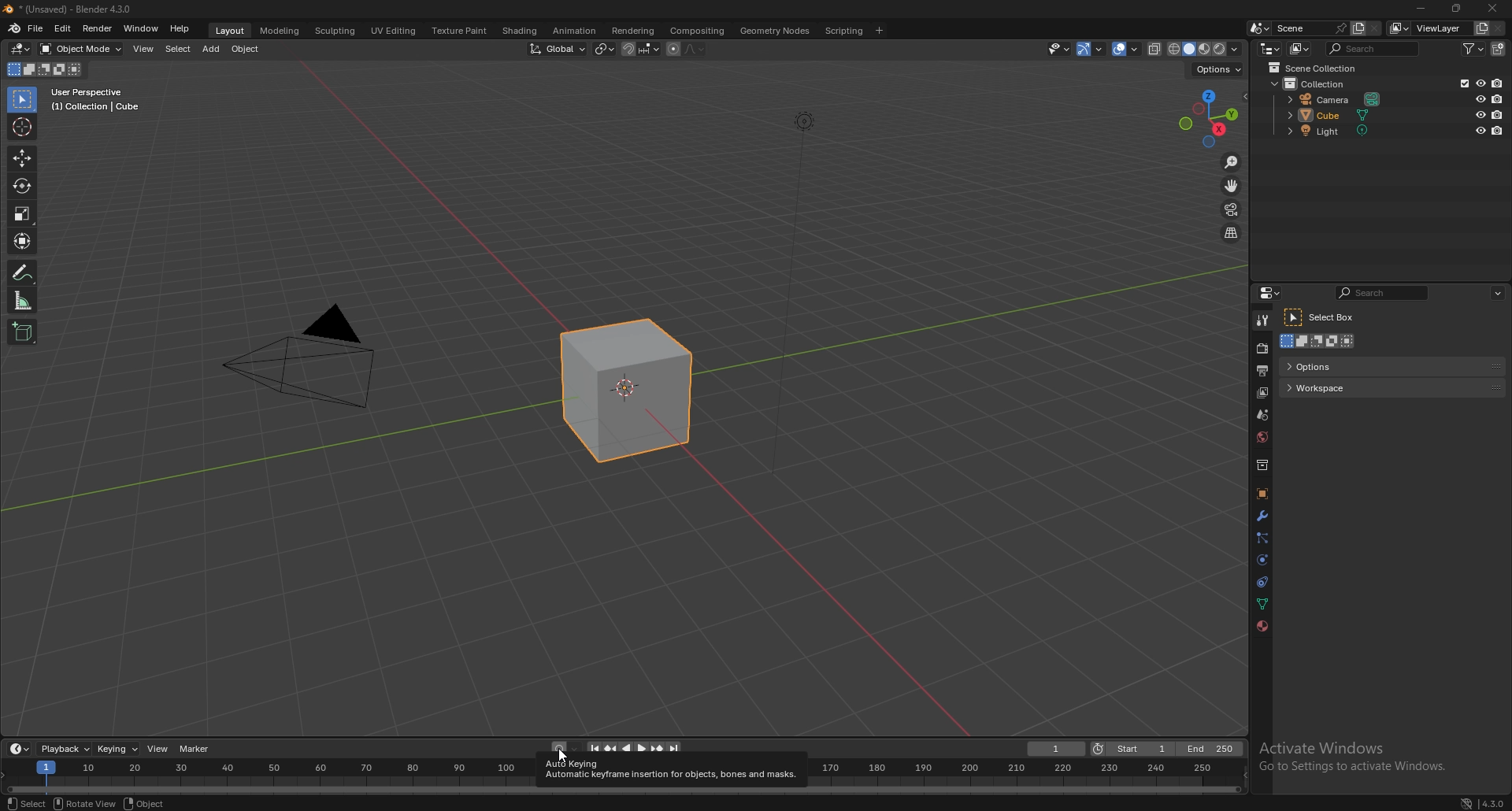  I want to click on scene collection, so click(1317, 68).